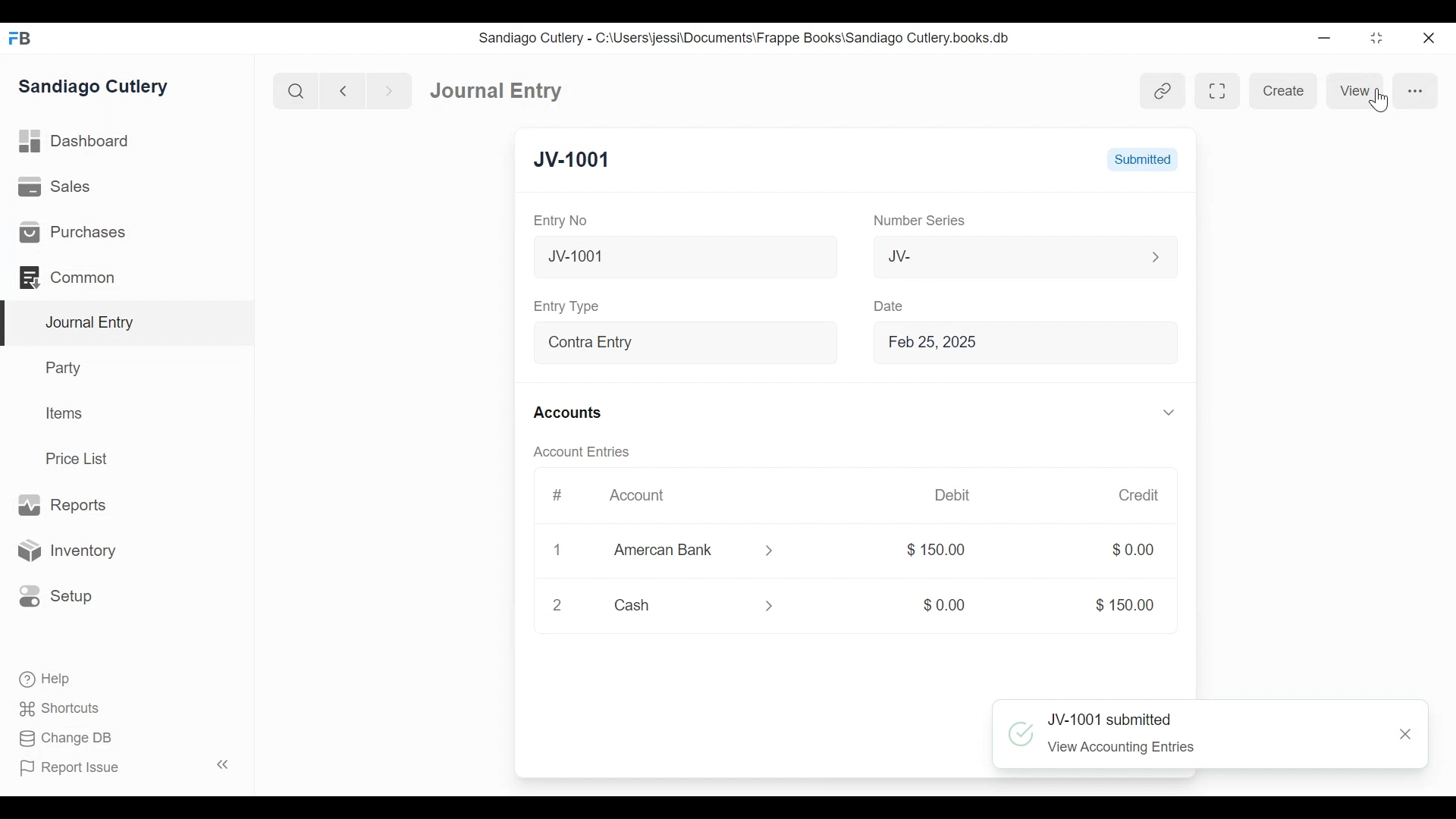 Image resolution: width=1456 pixels, height=819 pixels. Describe the element at coordinates (658, 344) in the screenshot. I see `Contra Entry` at that location.